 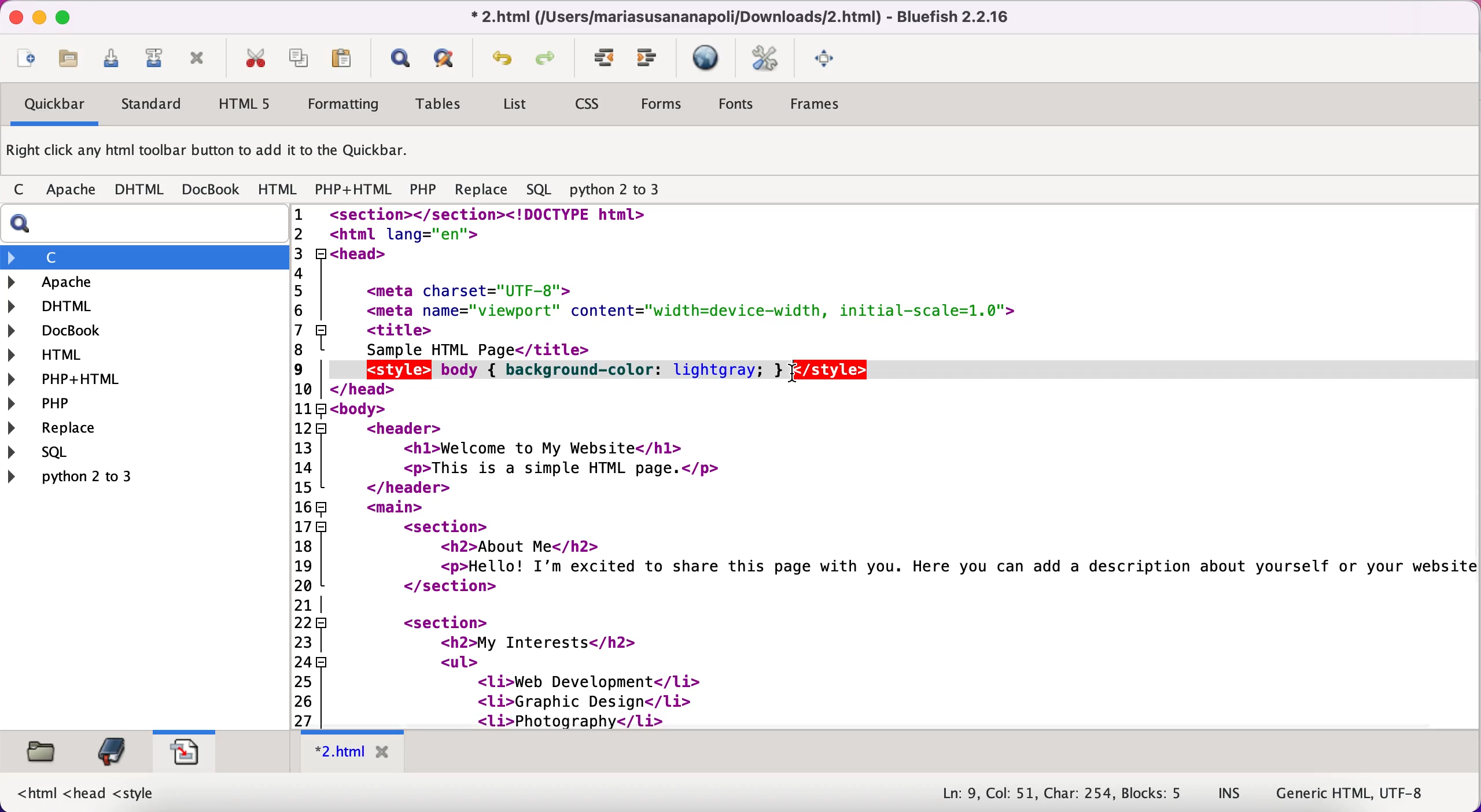 What do you see at coordinates (443, 105) in the screenshot?
I see `tables` at bounding box center [443, 105].